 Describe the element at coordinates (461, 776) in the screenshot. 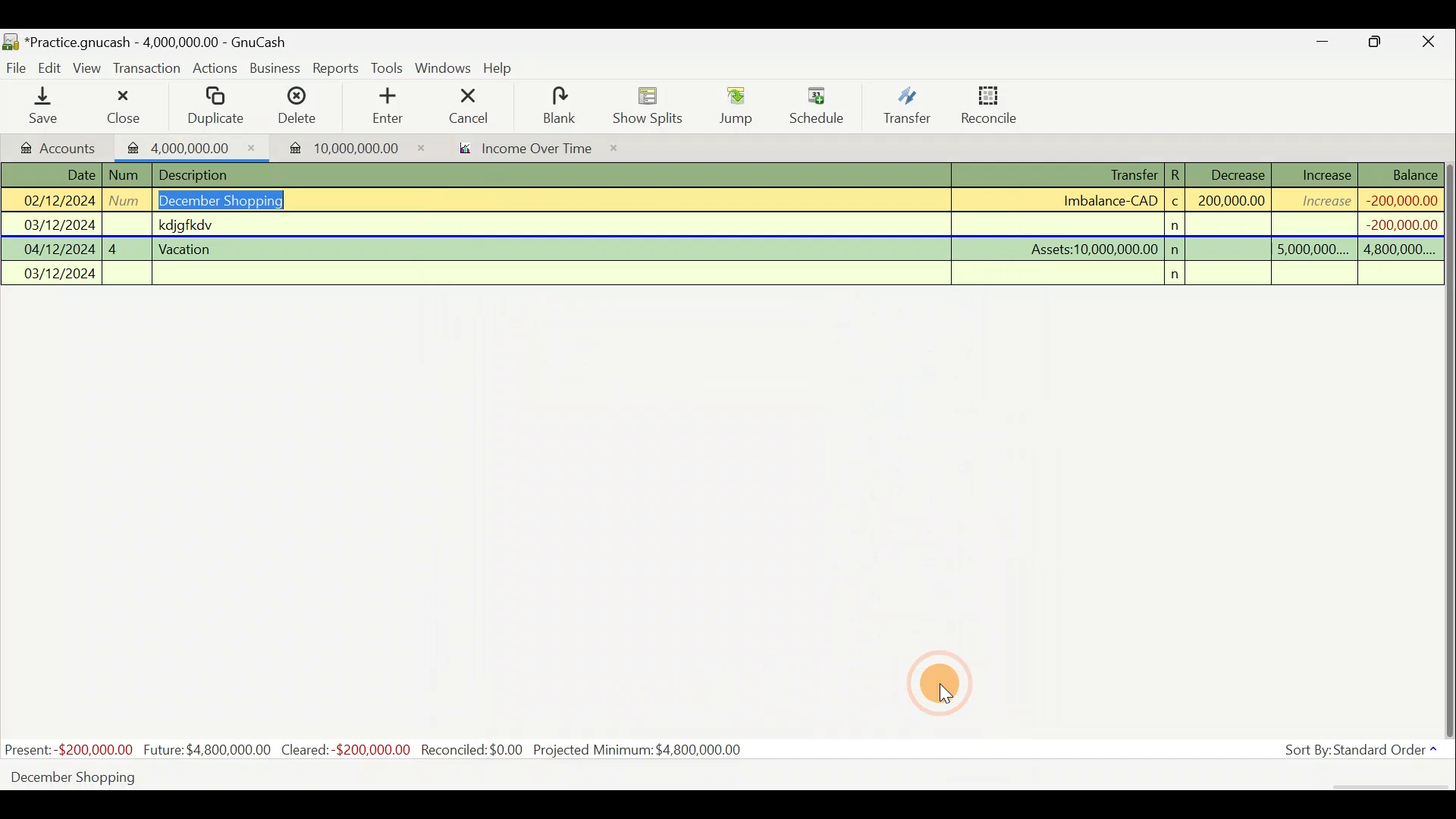

I see `Create a scheduled transaction` at that location.